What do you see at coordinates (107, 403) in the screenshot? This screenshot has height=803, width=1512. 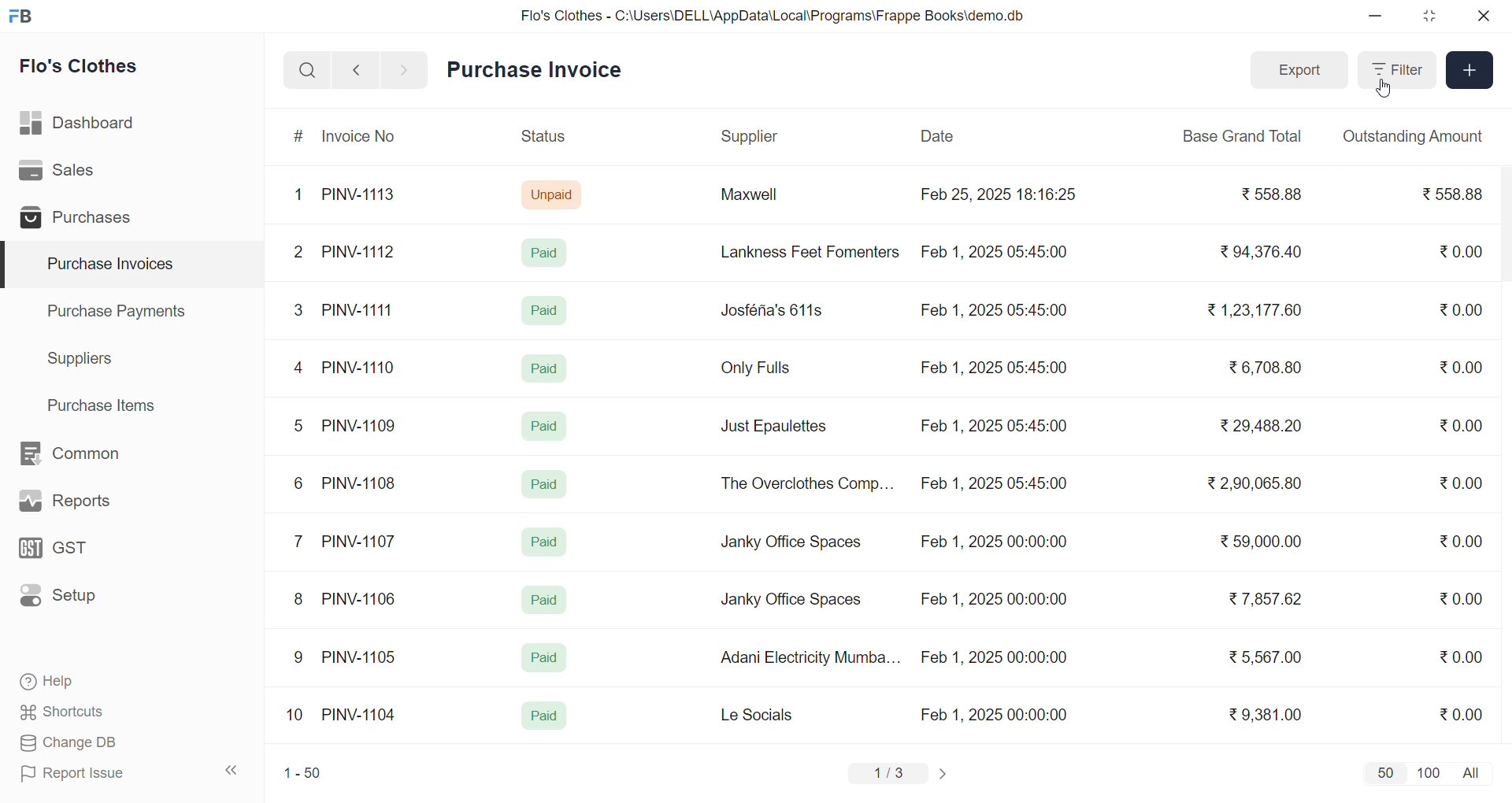 I see `Purchase Items` at bounding box center [107, 403].